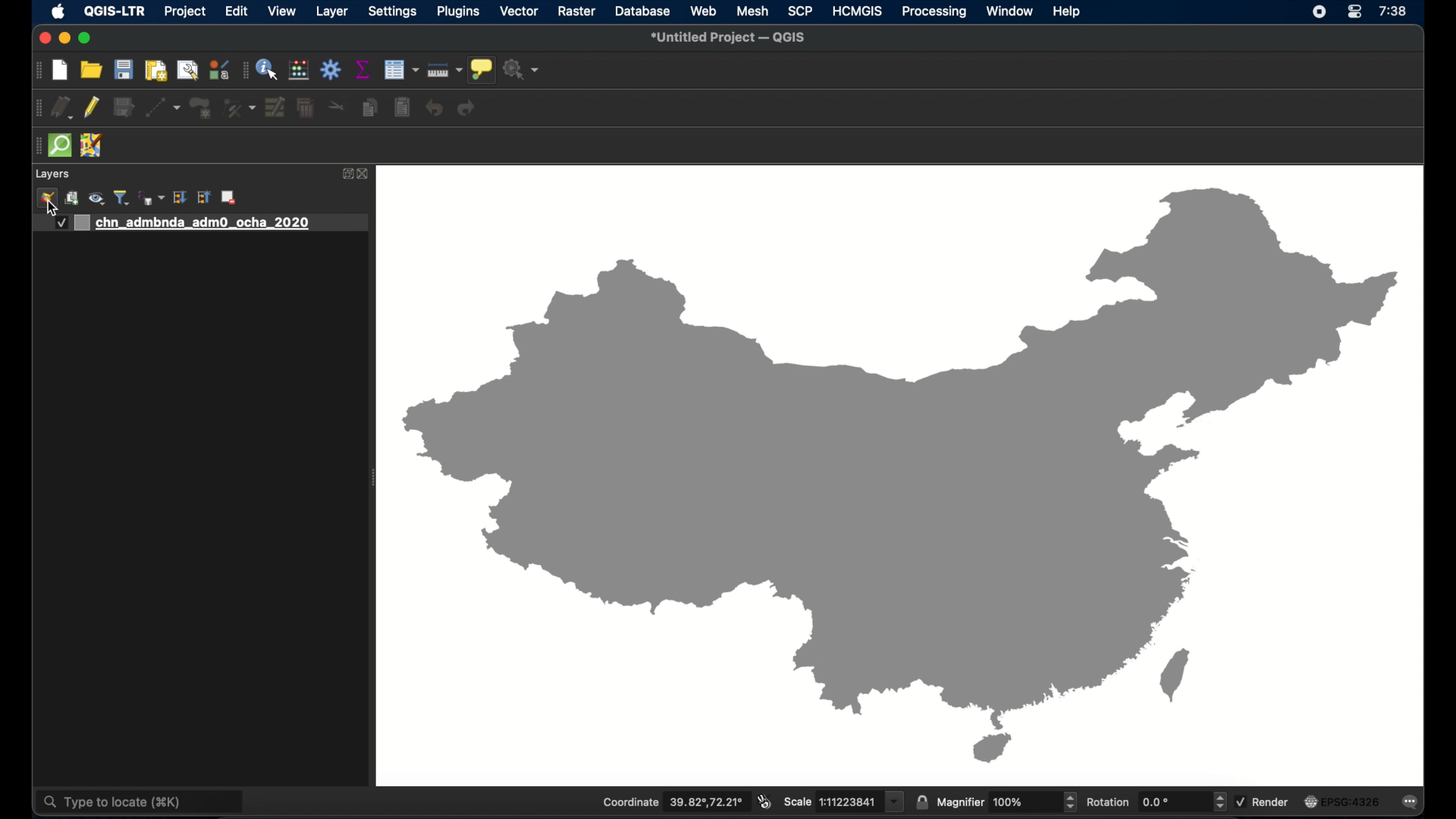 This screenshot has width=1456, height=819. Describe the element at coordinates (155, 70) in the screenshot. I see `print layout` at that location.